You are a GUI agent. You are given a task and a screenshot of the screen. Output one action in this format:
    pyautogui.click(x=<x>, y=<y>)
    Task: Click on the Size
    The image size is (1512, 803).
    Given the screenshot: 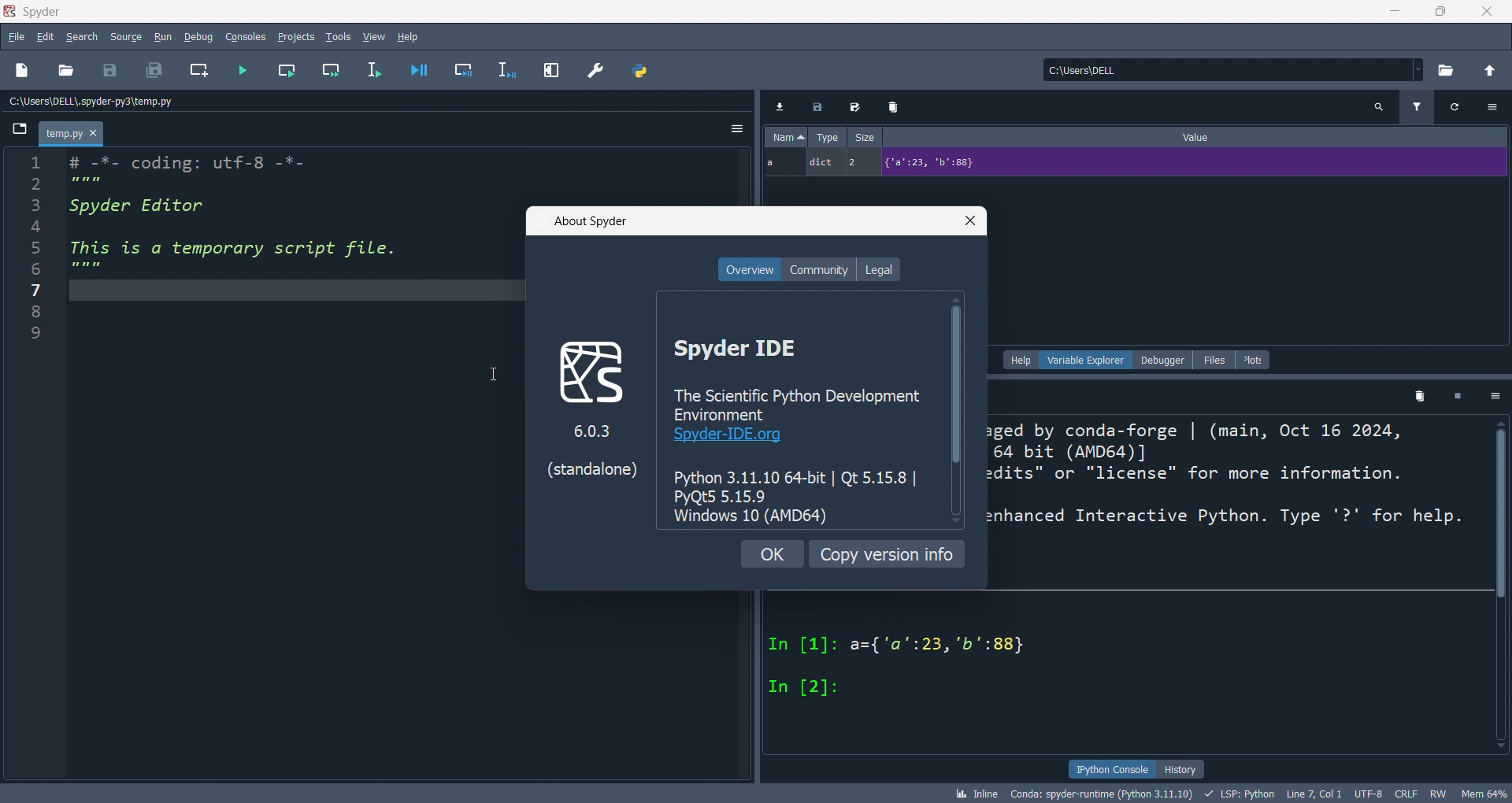 What is the action you would take?
    pyautogui.click(x=865, y=136)
    